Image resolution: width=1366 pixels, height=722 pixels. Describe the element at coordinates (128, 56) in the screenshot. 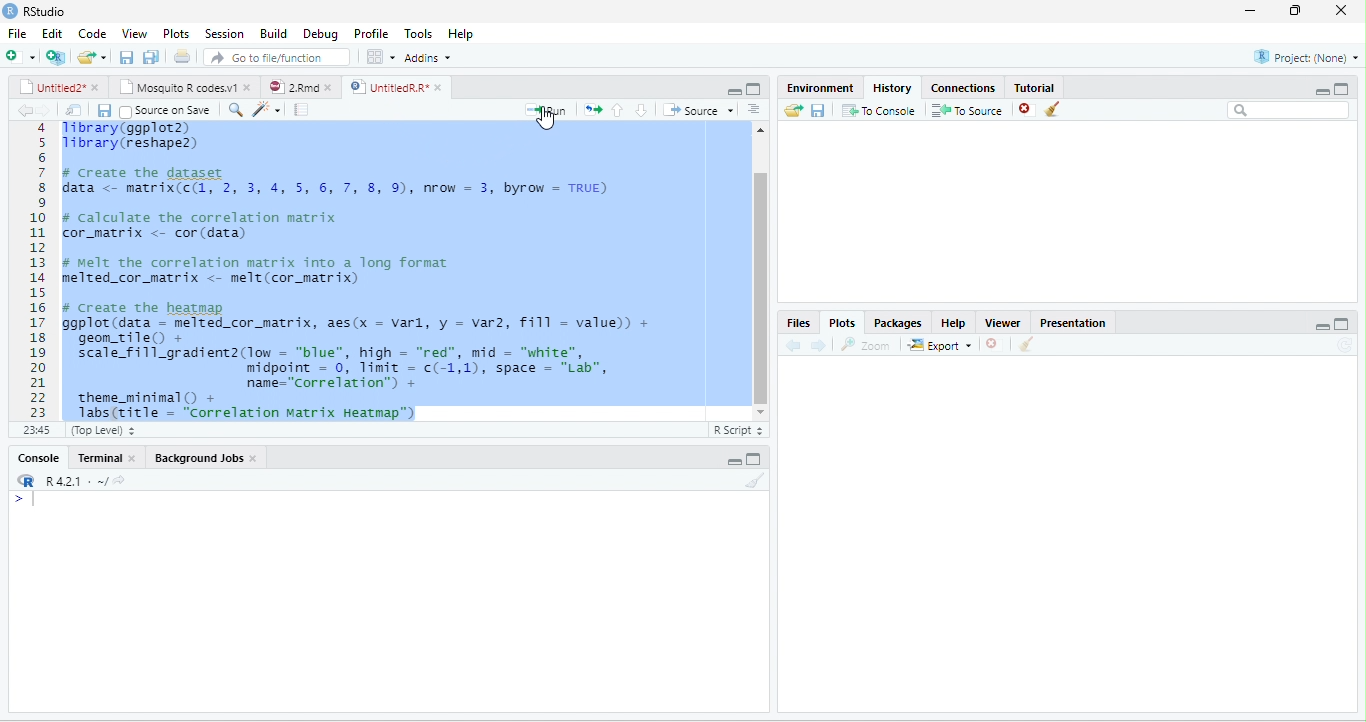

I see `previous file saction` at that location.